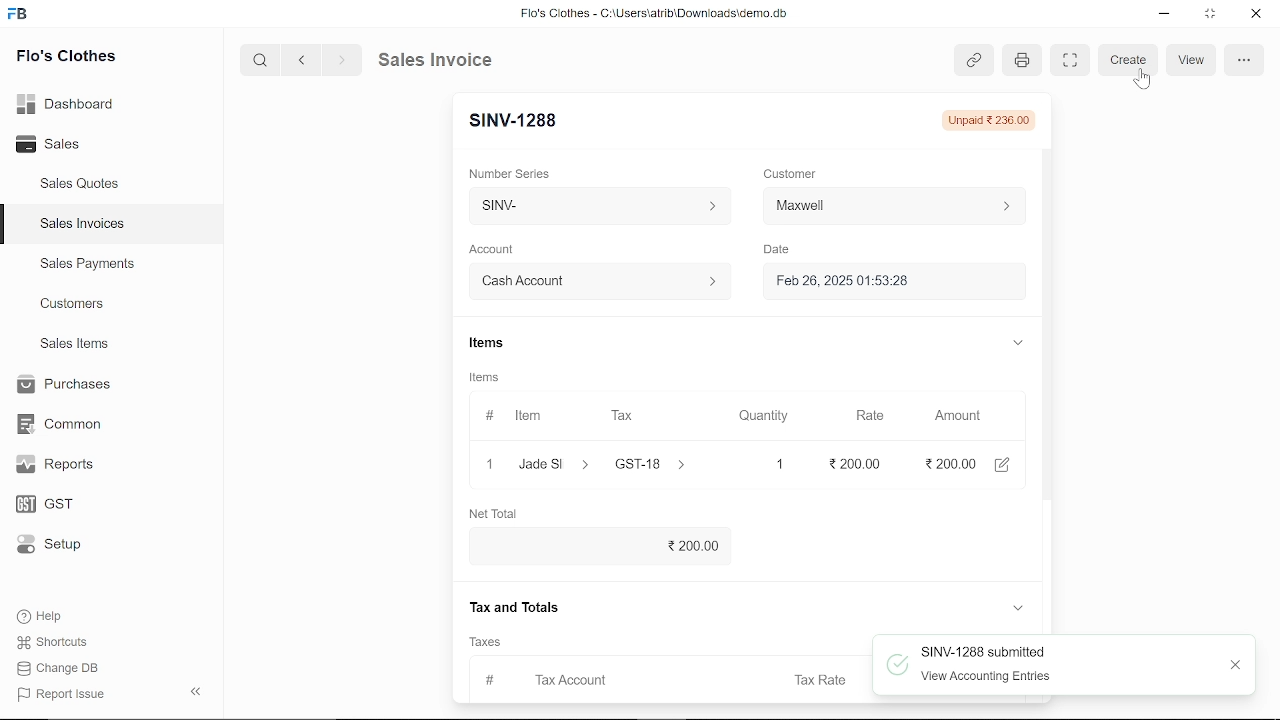 The height and width of the screenshot is (720, 1280). Describe the element at coordinates (53, 616) in the screenshot. I see `Help` at that location.